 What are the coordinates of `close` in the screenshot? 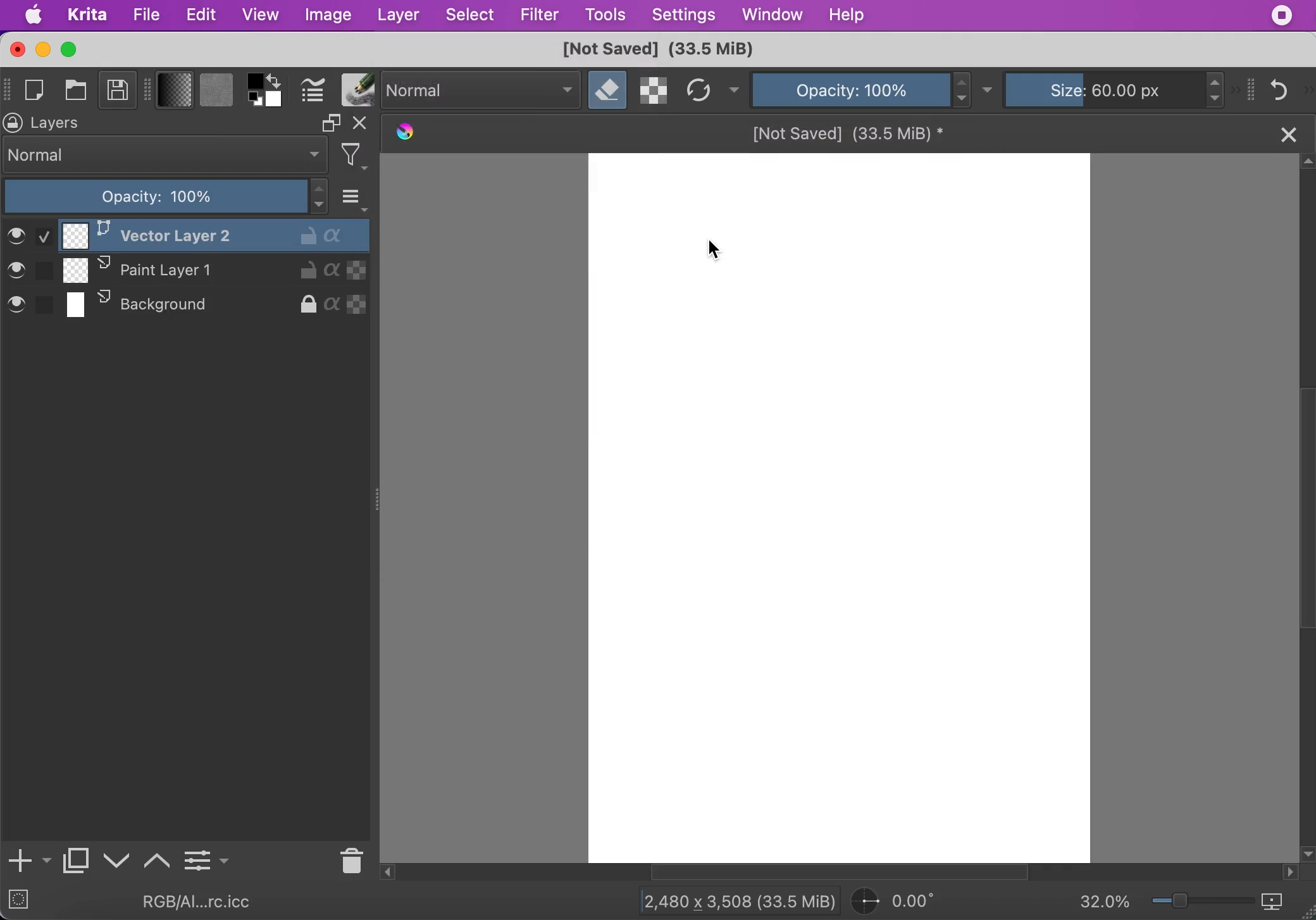 It's located at (16, 49).